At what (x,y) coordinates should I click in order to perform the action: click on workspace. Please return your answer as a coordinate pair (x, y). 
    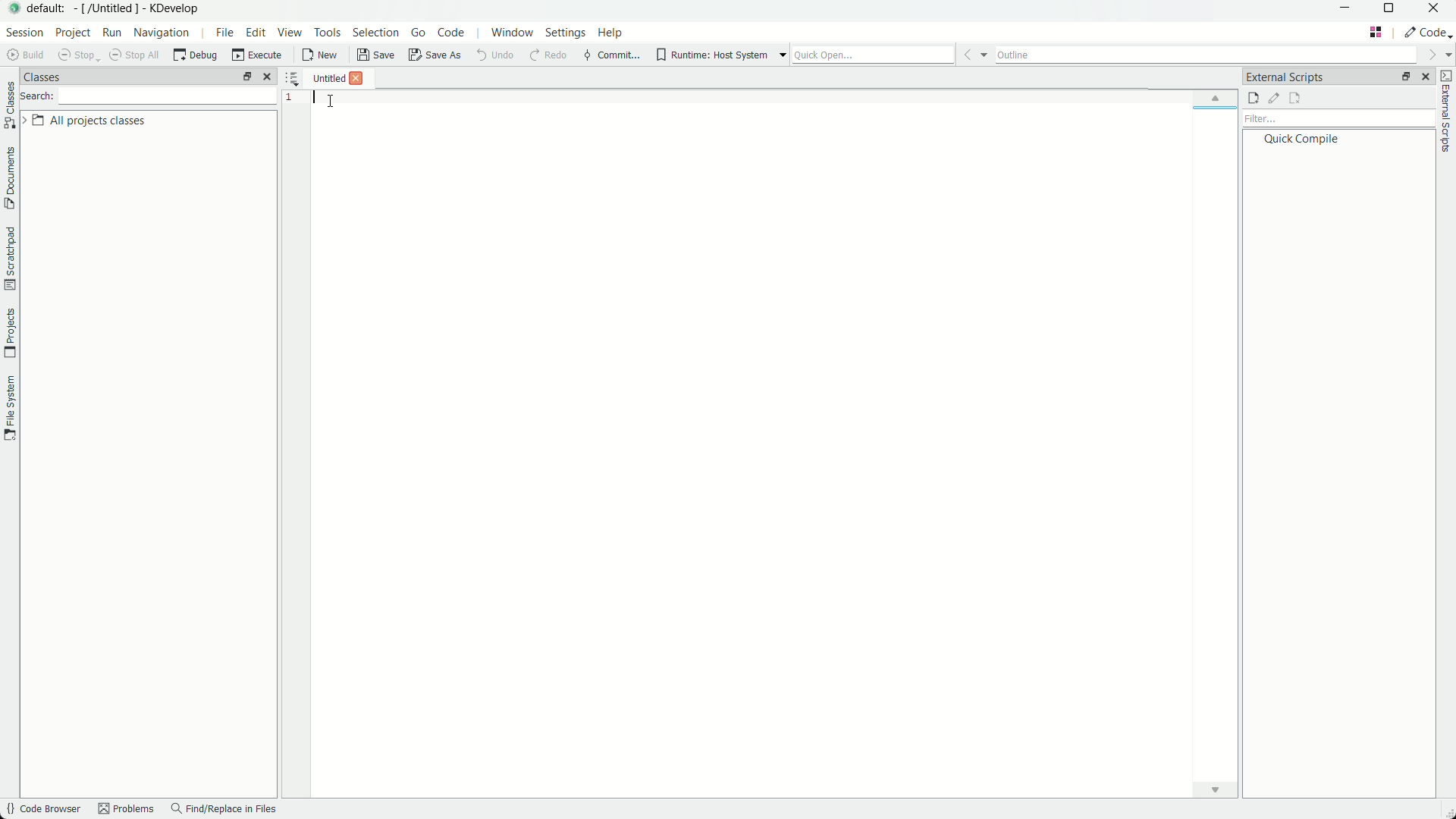
    Looking at the image, I should click on (770, 461).